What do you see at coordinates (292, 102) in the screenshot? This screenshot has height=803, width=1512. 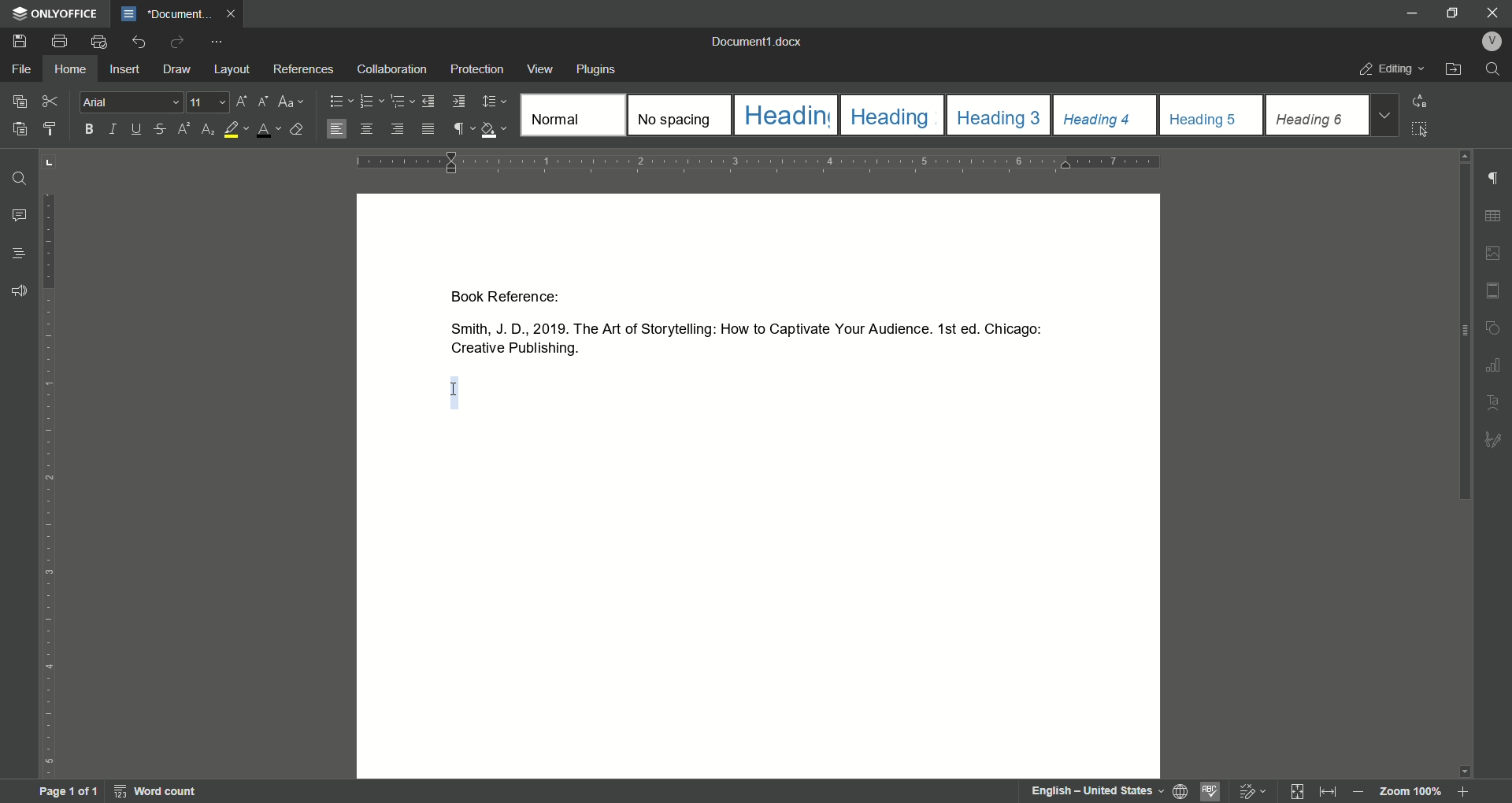 I see `change case` at bounding box center [292, 102].